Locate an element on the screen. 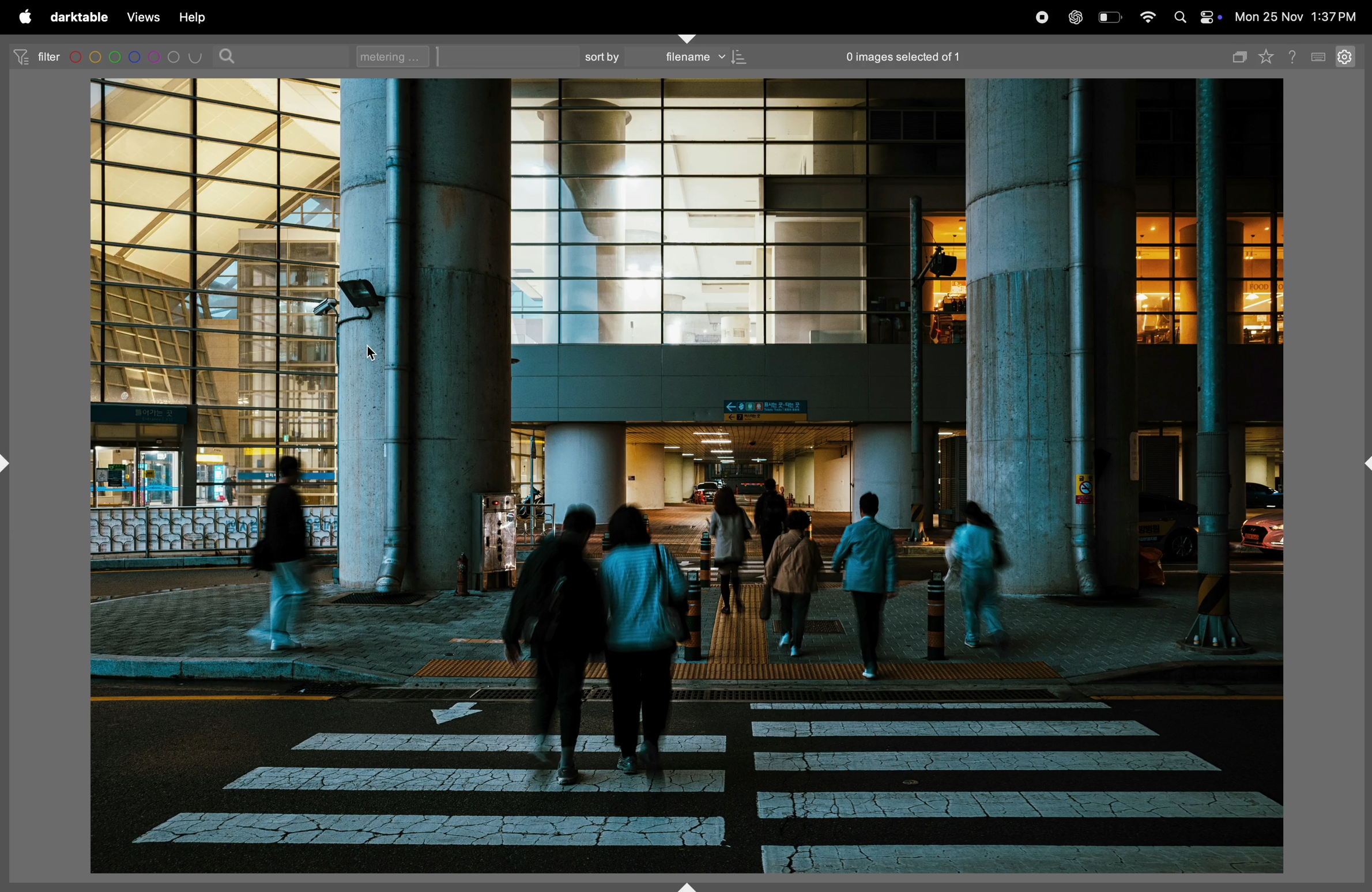  wifi is located at coordinates (1148, 17).